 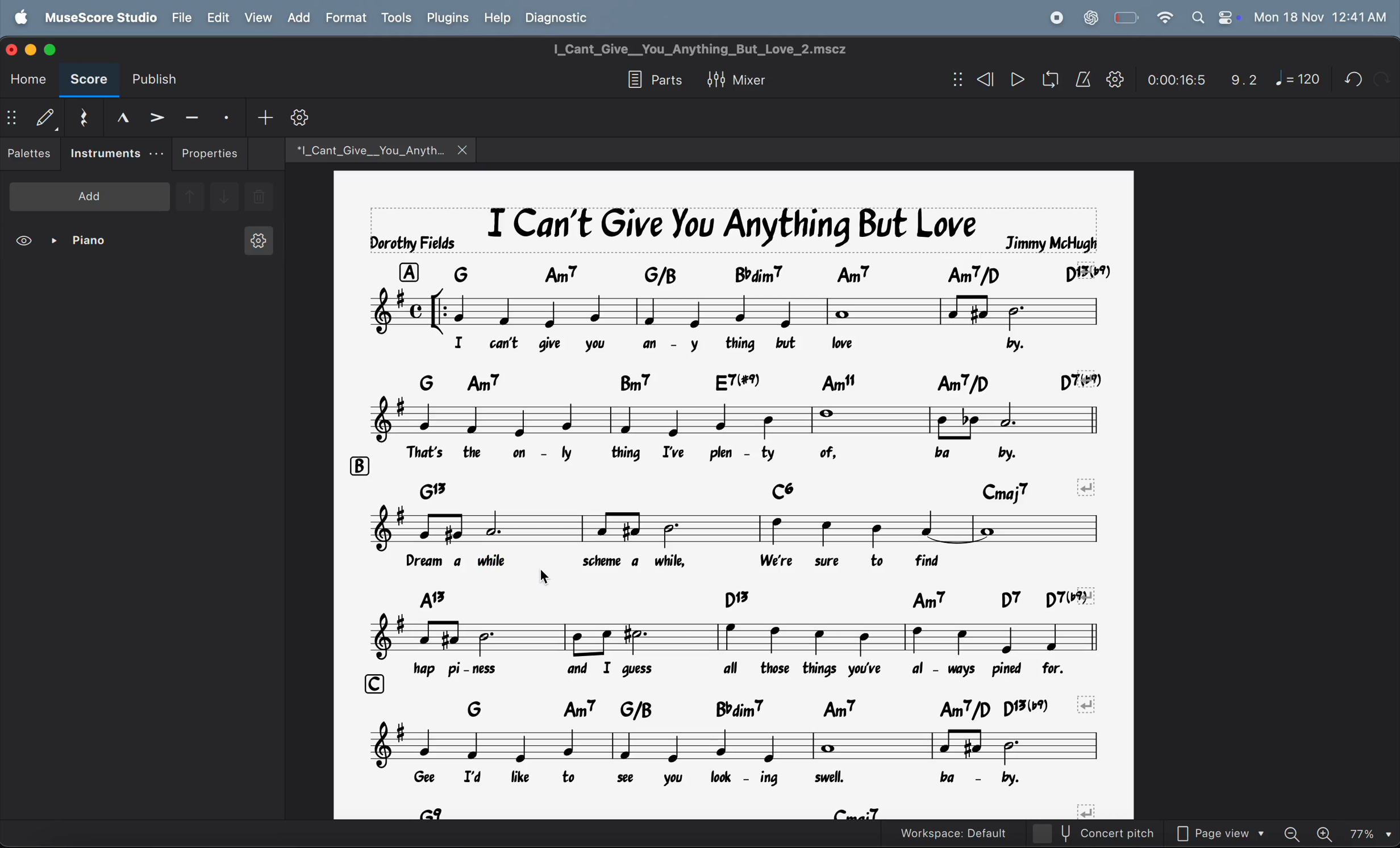 What do you see at coordinates (153, 80) in the screenshot?
I see `publish` at bounding box center [153, 80].